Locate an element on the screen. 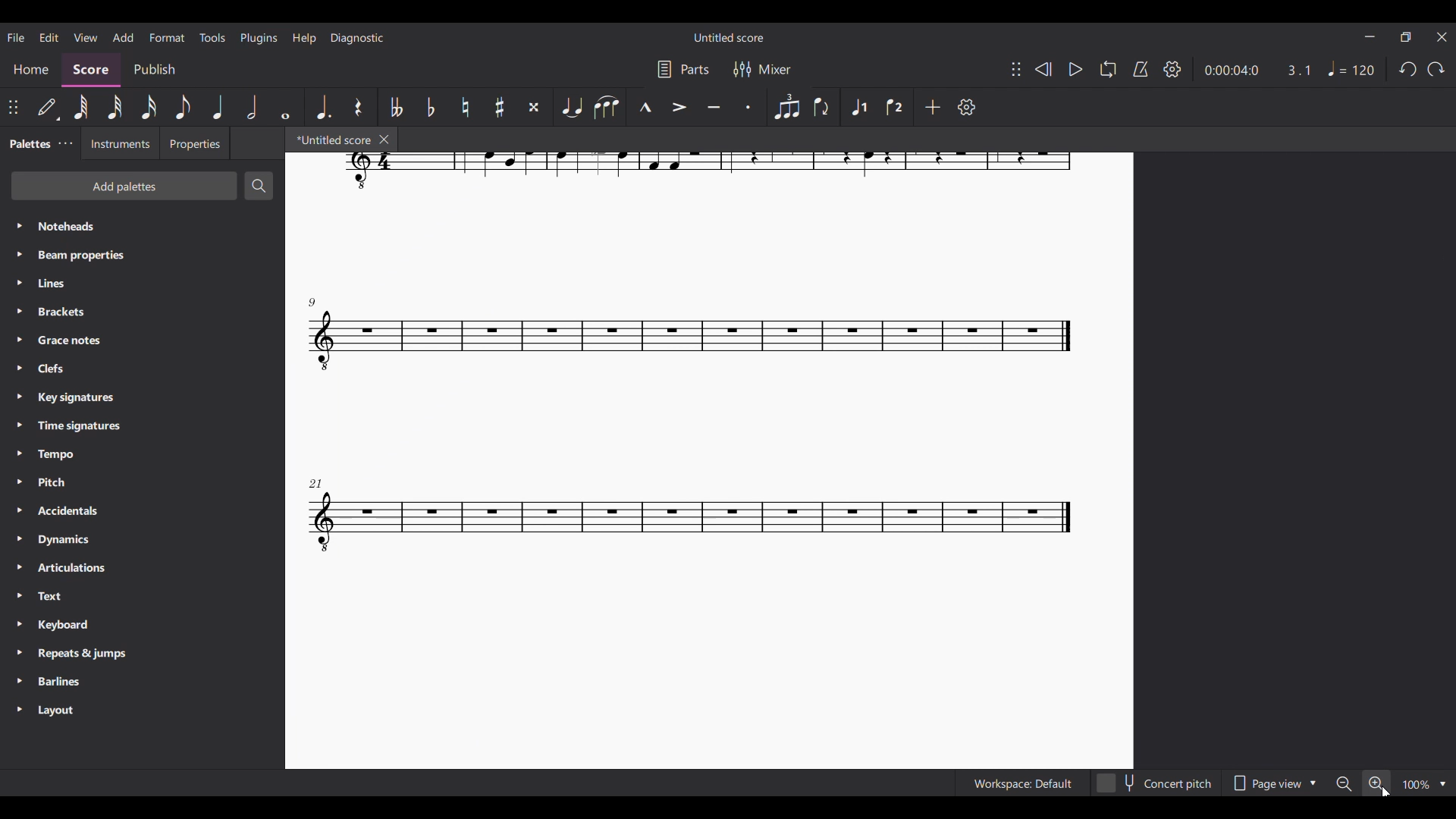 Image resolution: width=1456 pixels, height=819 pixels. Redo is located at coordinates (1436, 69).